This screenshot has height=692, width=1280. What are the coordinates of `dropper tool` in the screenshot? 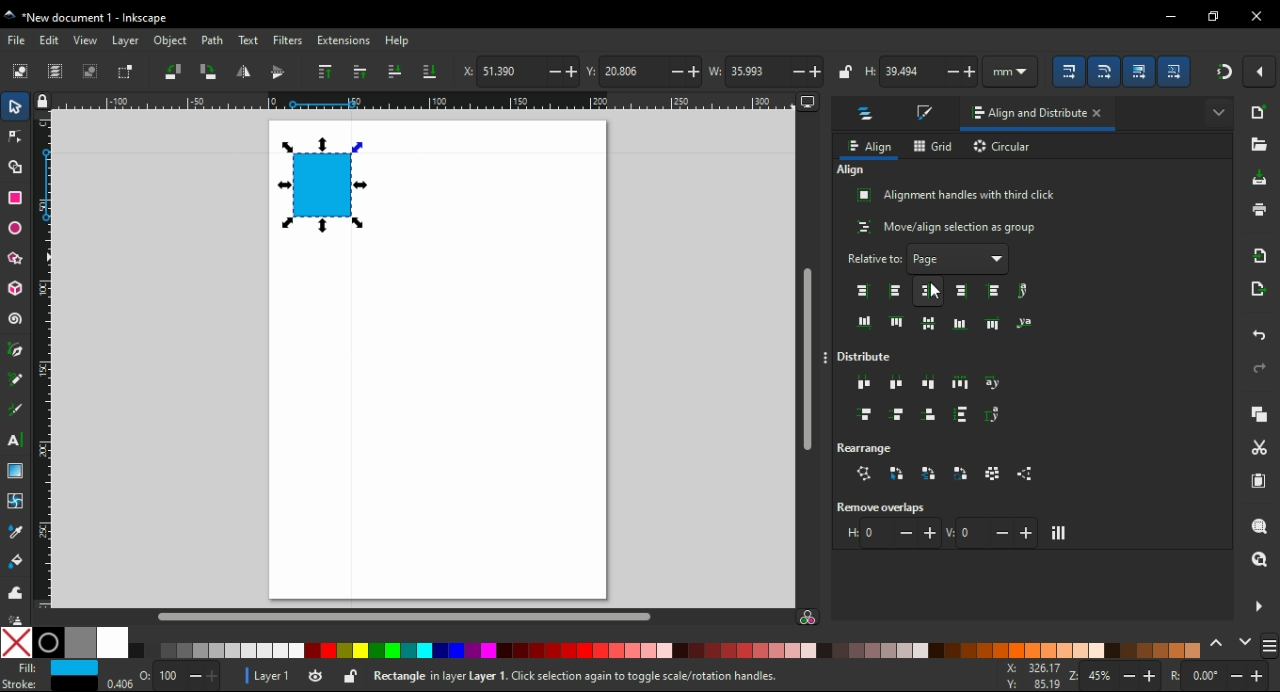 It's located at (17, 532).